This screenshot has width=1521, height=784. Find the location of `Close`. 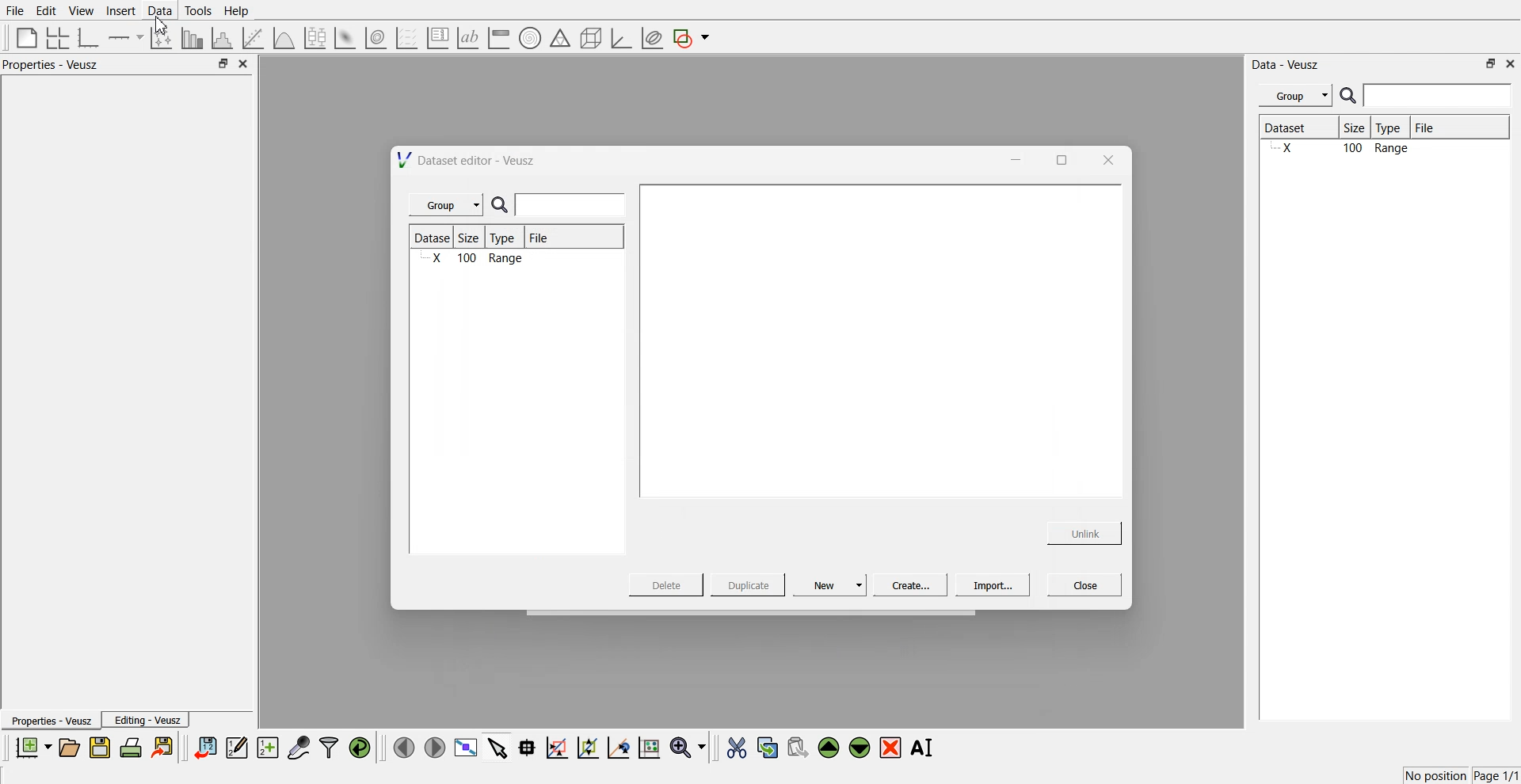

Close is located at coordinates (1085, 584).